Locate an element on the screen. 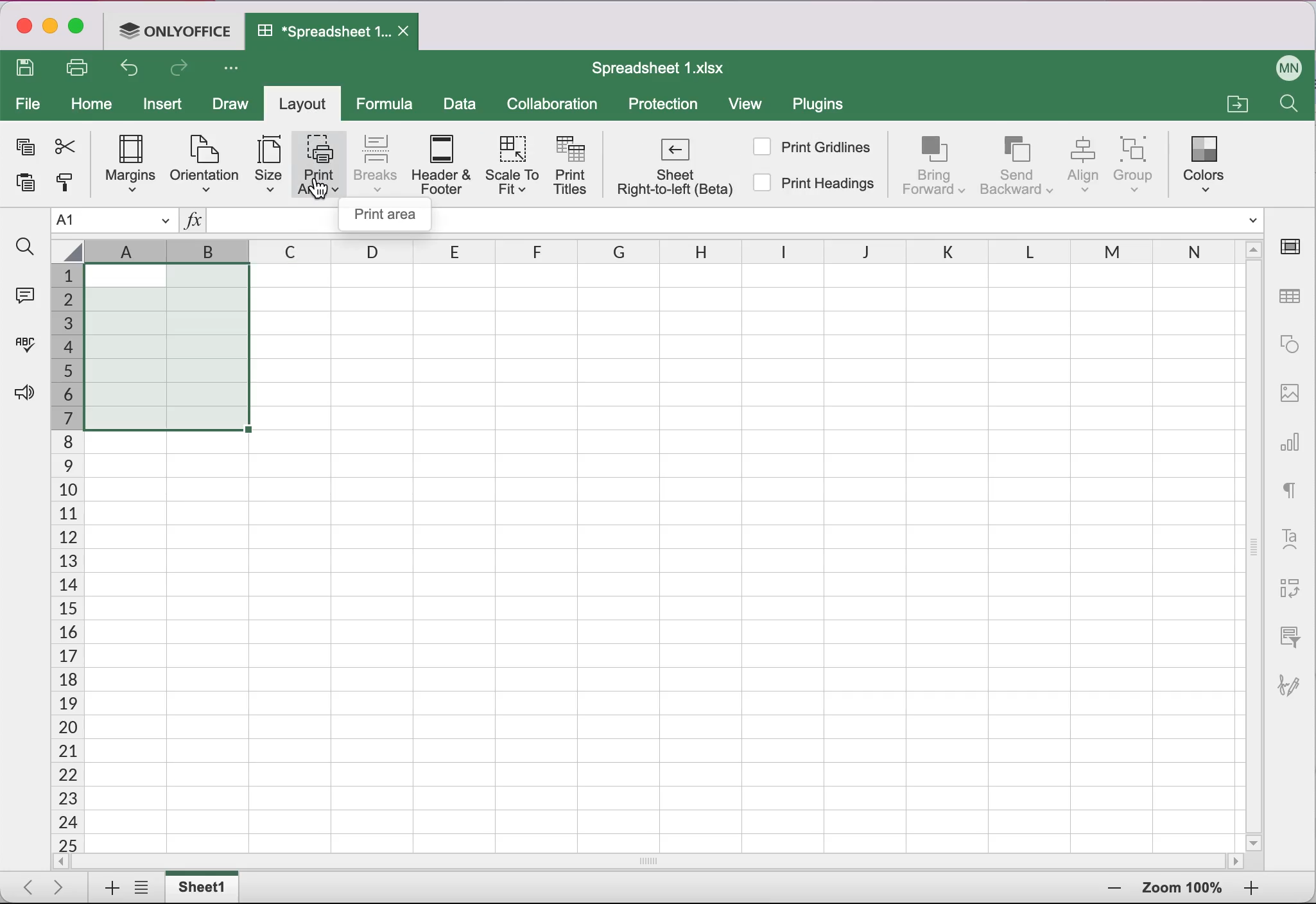  comments is located at coordinates (23, 293).